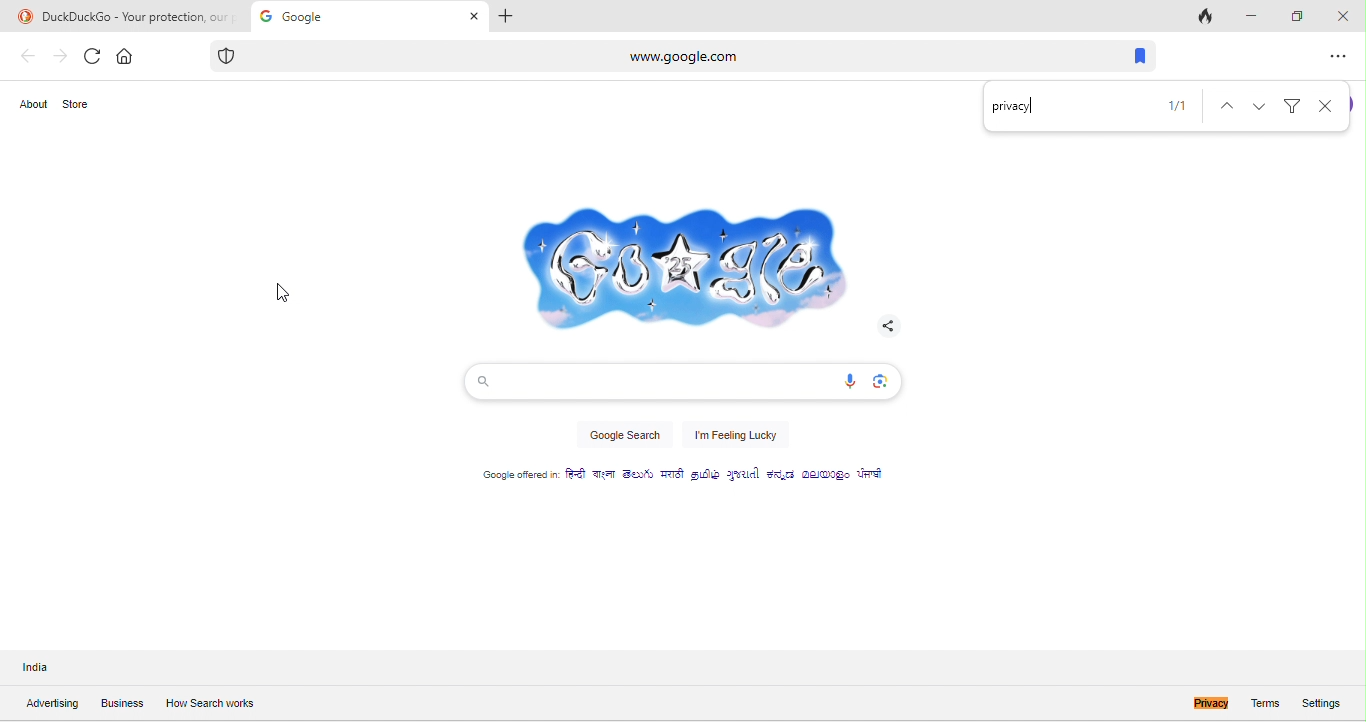 This screenshot has height=722, width=1366. Describe the element at coordinates (623, 439) in the screenshot. I see `google search` at that location.